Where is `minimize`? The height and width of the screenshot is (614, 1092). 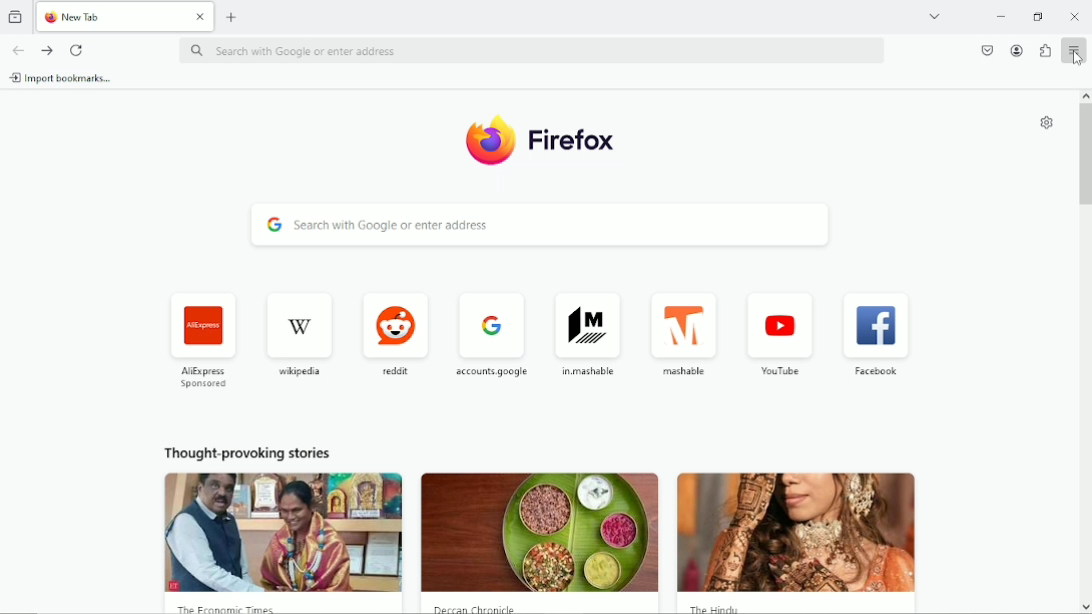
minimize is located at coordinates (1001, 15).